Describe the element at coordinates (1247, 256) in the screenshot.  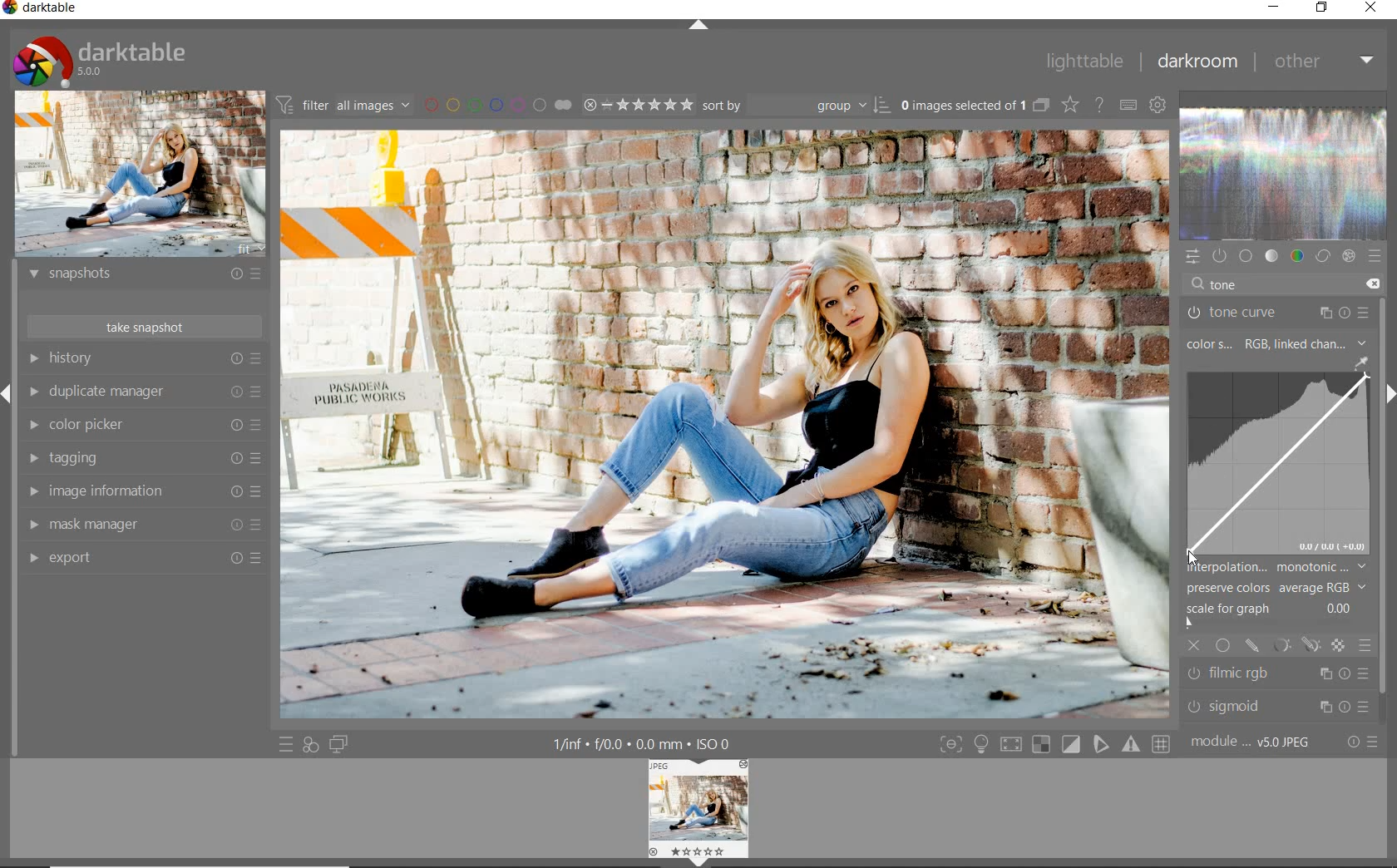
I see `base` at that location.